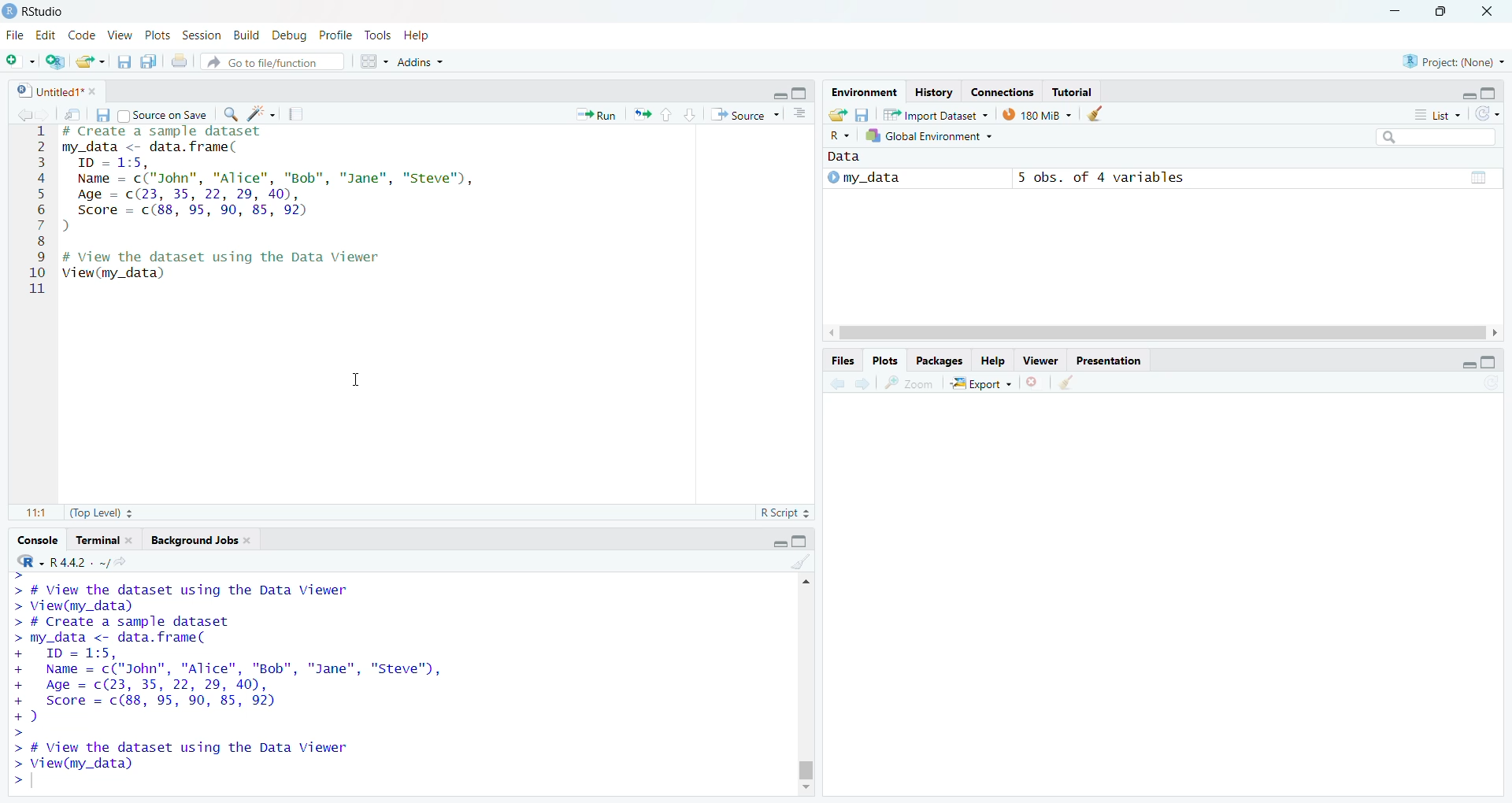  I want to click on Run, so click(600, 116).